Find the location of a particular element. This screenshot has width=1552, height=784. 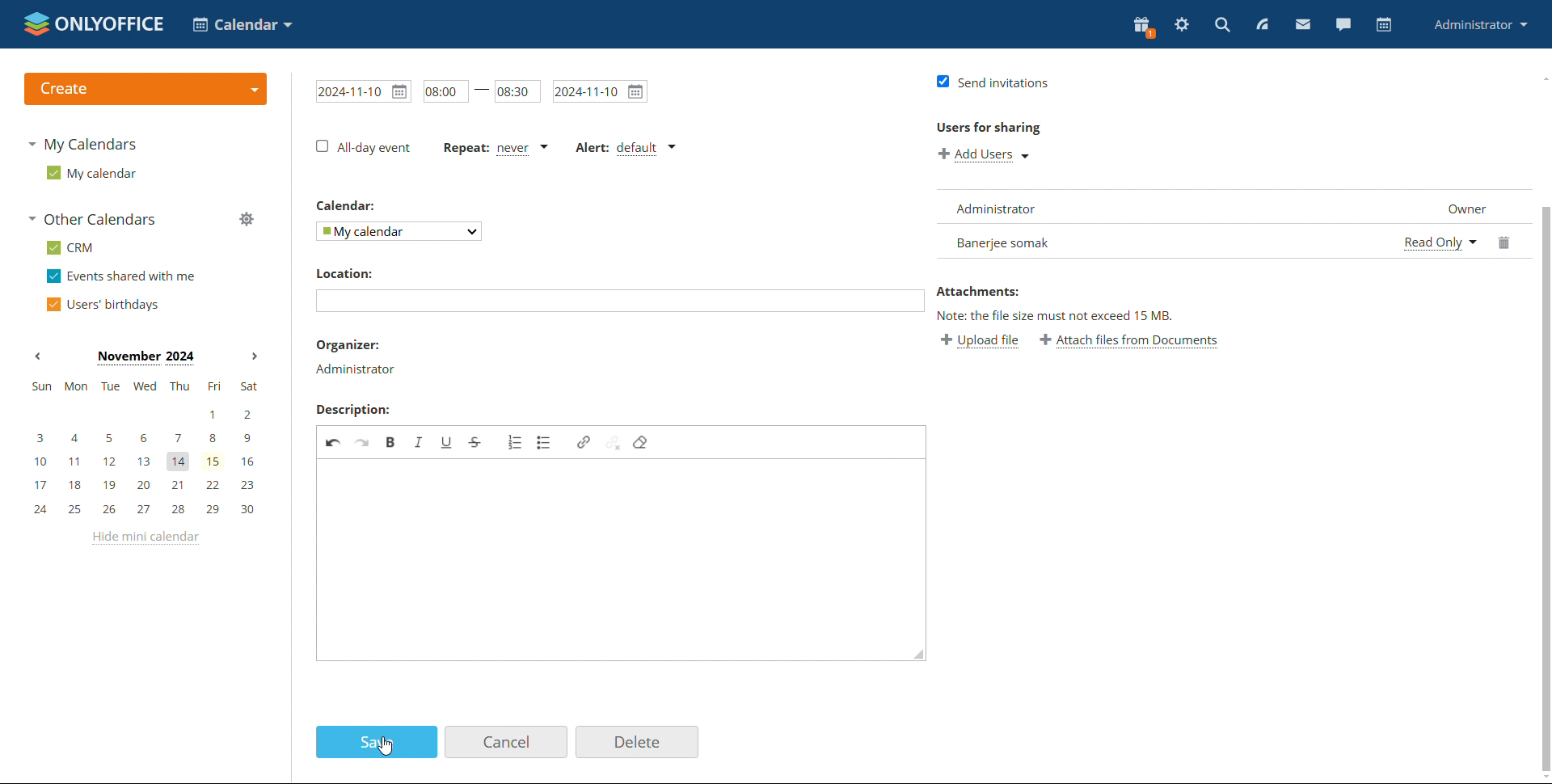

redo is located at coordinates (363, 444).